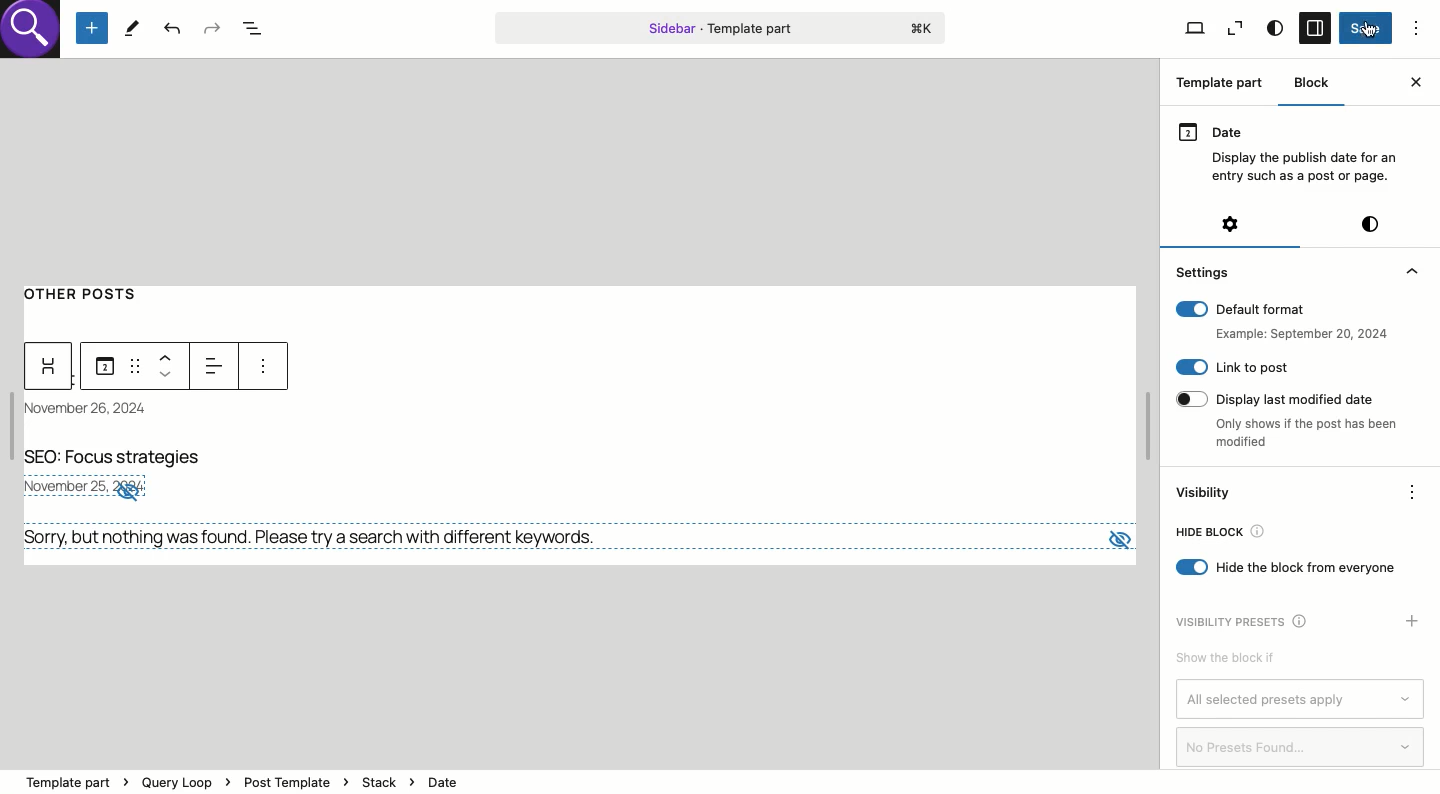  I want to click on no visibility, so click(129, 492).